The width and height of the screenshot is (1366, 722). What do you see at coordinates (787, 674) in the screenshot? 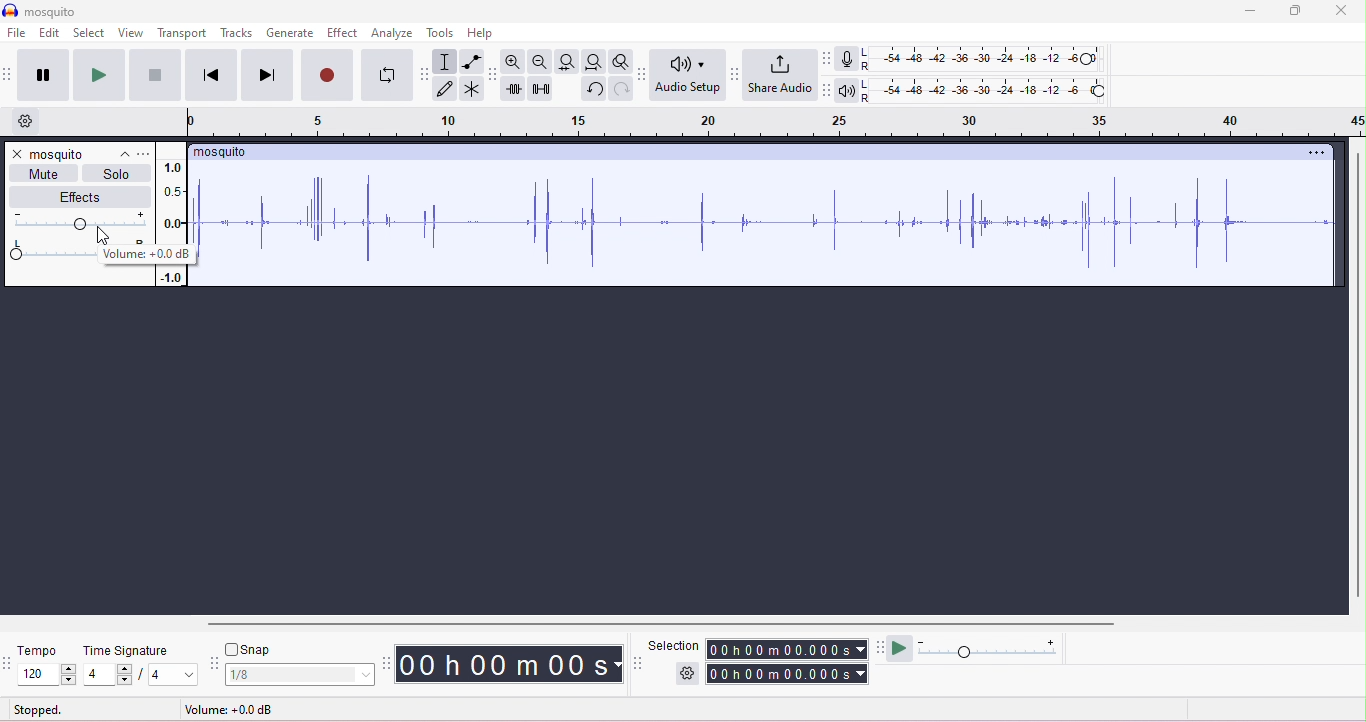
I see `total time` at bounding box center [787, 674].